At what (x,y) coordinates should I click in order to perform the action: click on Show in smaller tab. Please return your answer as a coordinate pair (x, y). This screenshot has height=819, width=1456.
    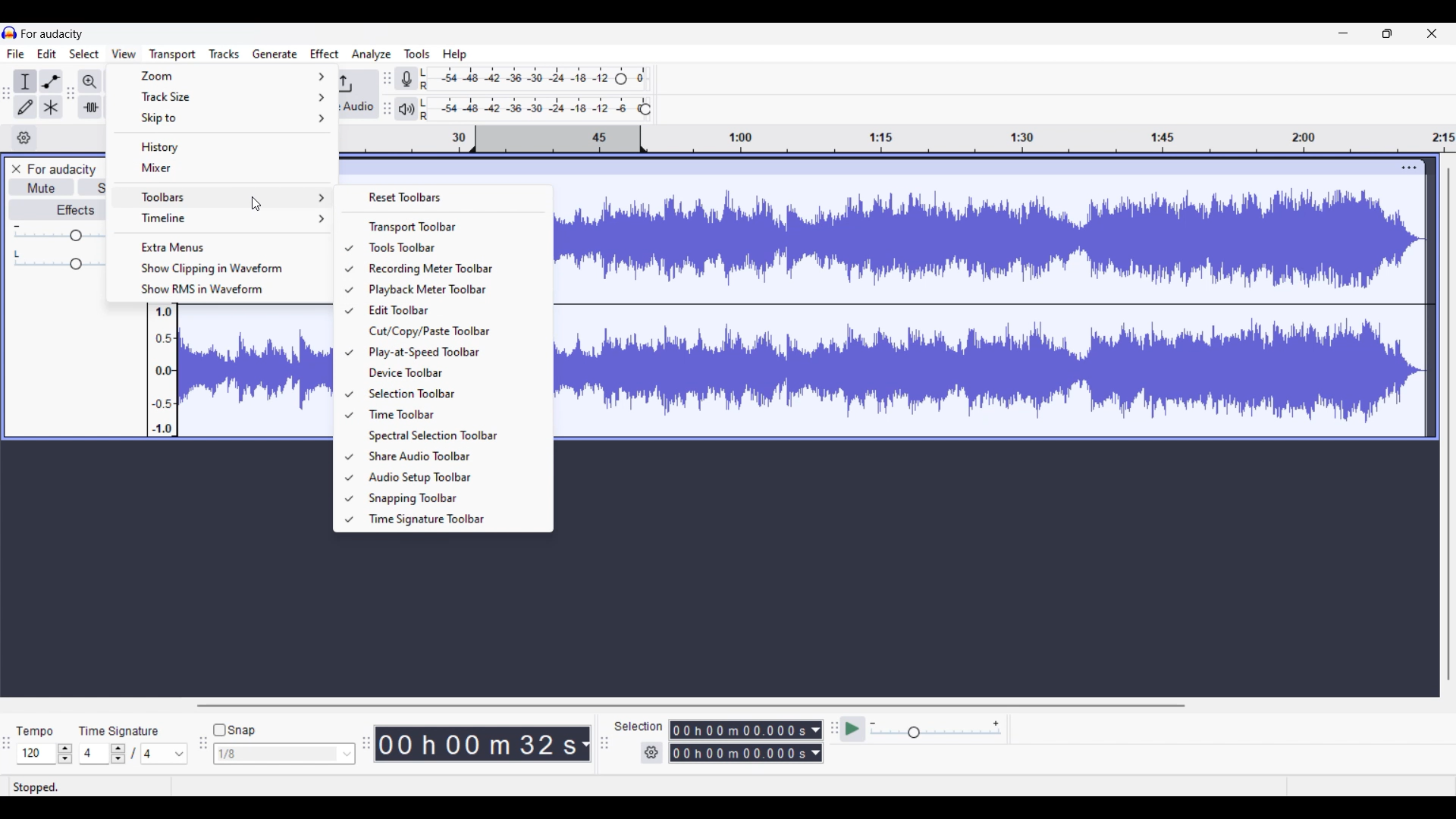
    Looking at the image, I should click on (1387, 33).